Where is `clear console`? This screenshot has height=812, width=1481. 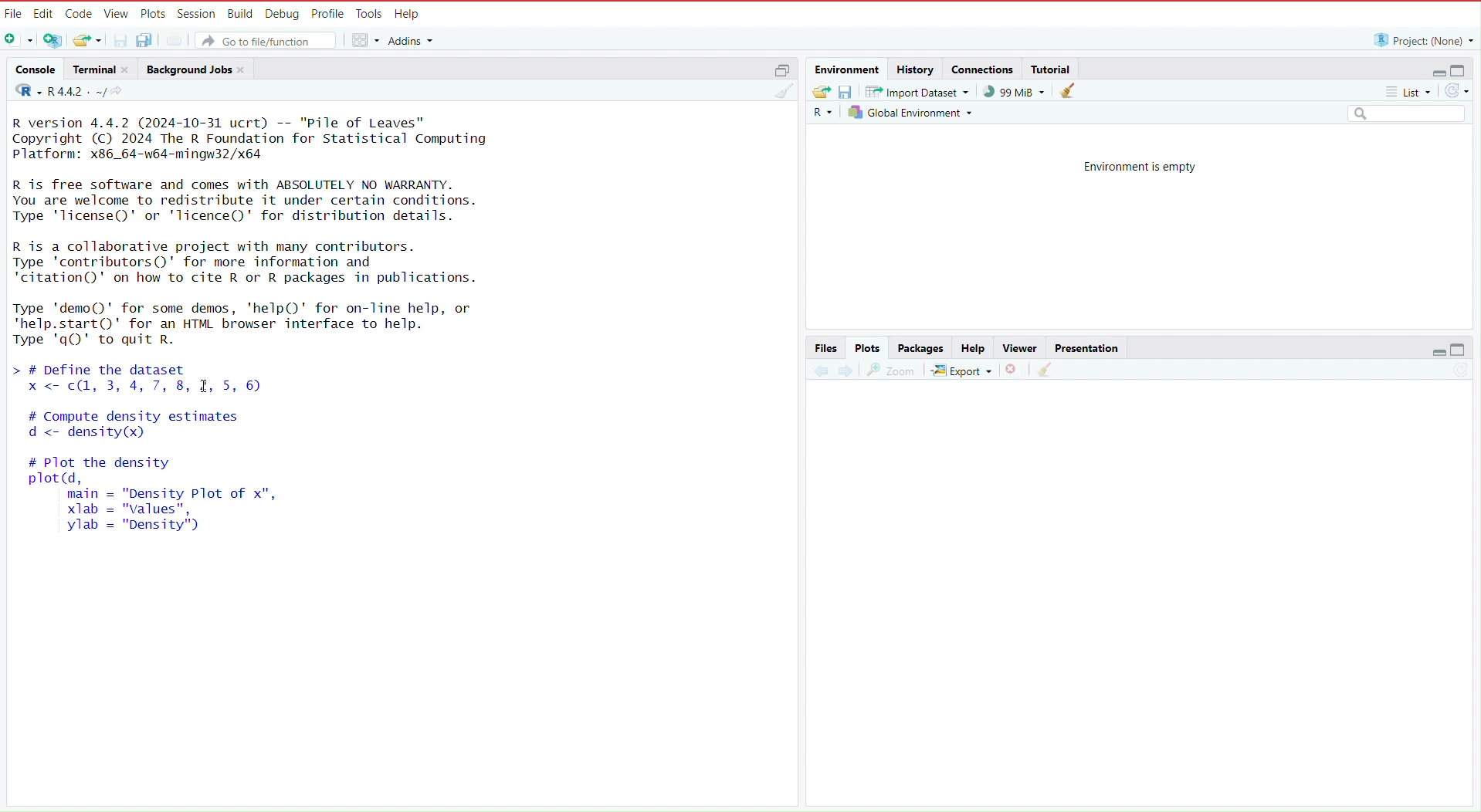 clear console is located at coordinates (782, 92).